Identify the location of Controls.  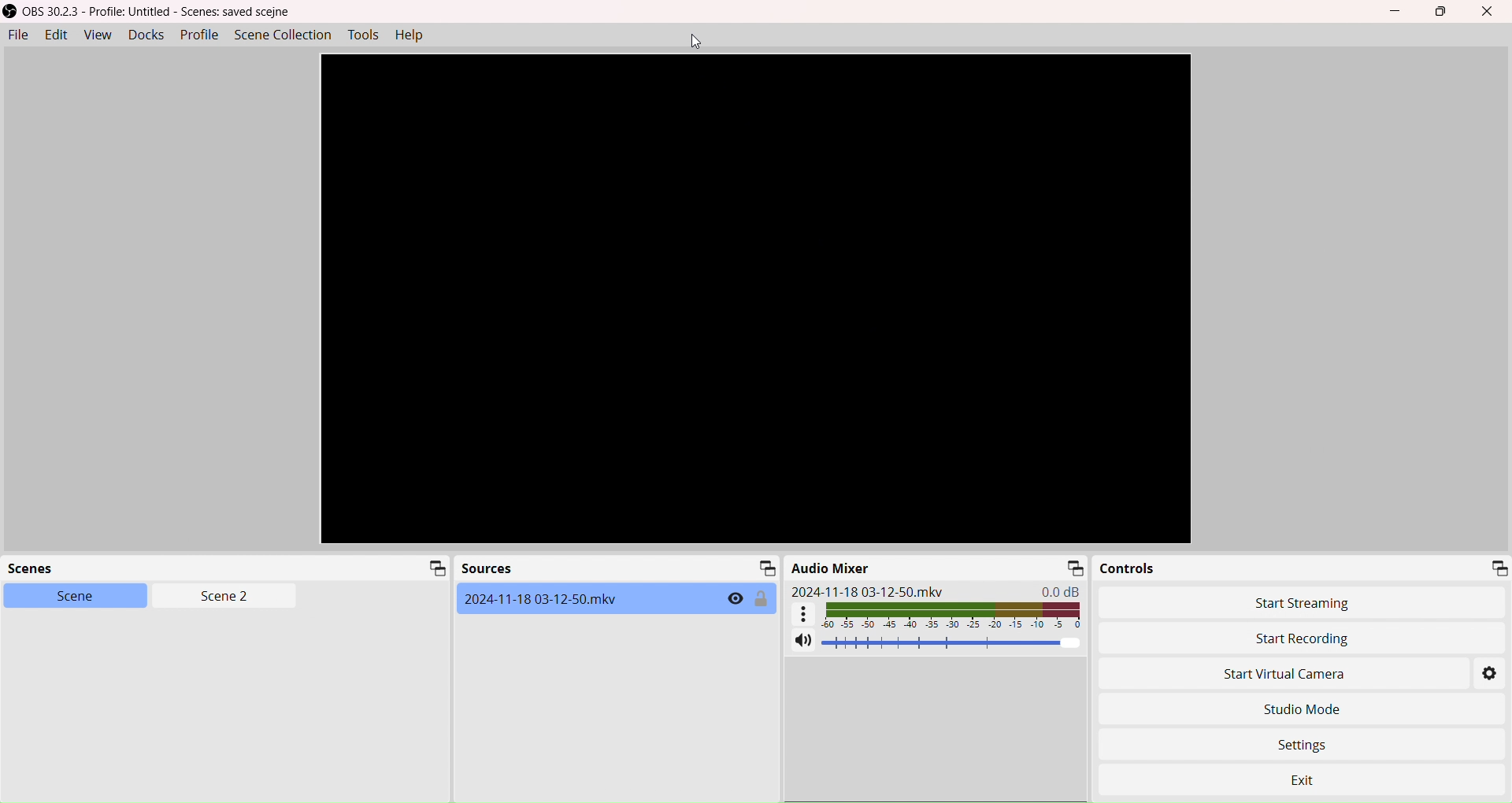
(1130, 568).